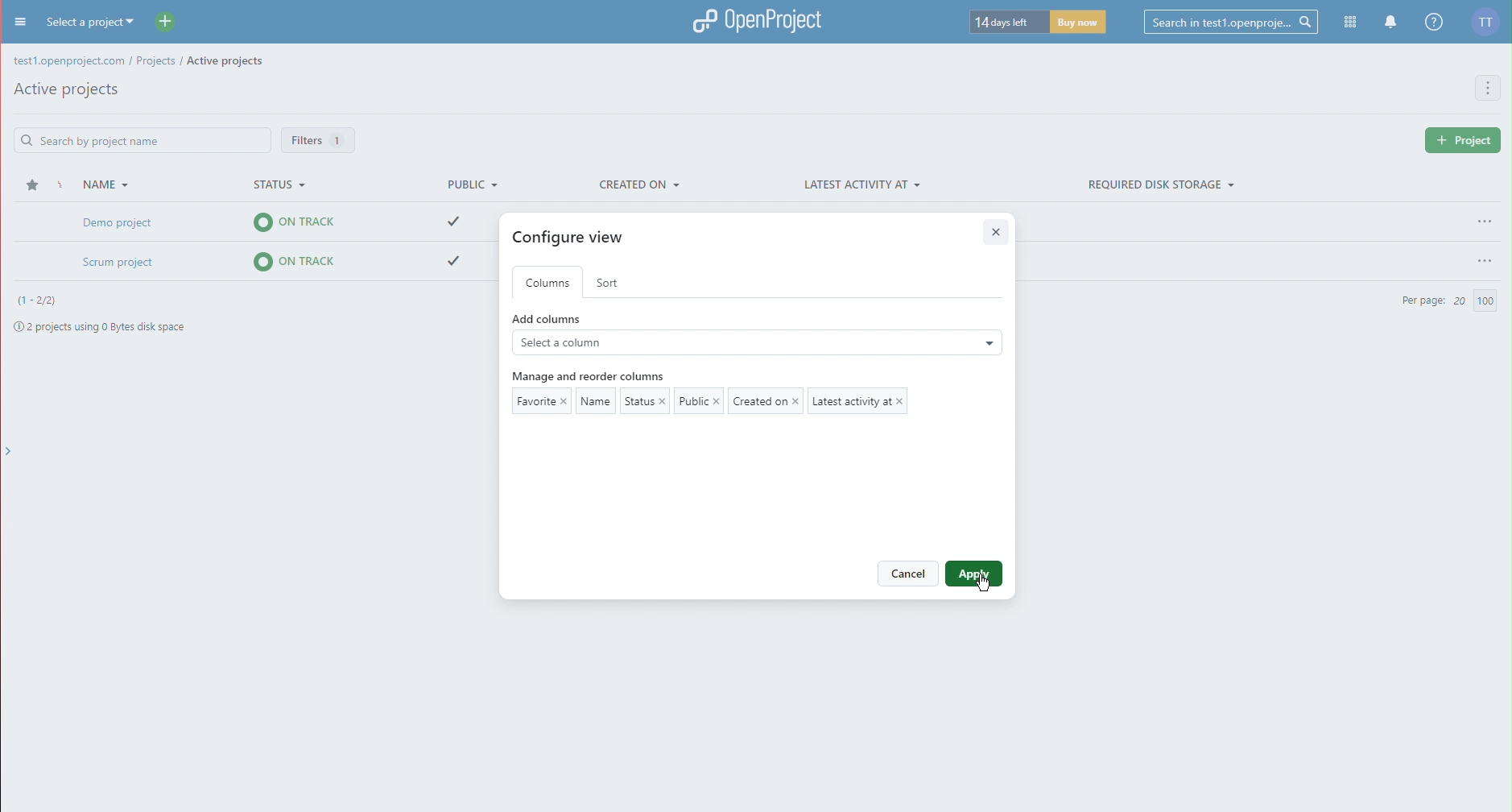  Describe the element at coordinates (974, 573) in the screenshot. I see `Apply` at that location.